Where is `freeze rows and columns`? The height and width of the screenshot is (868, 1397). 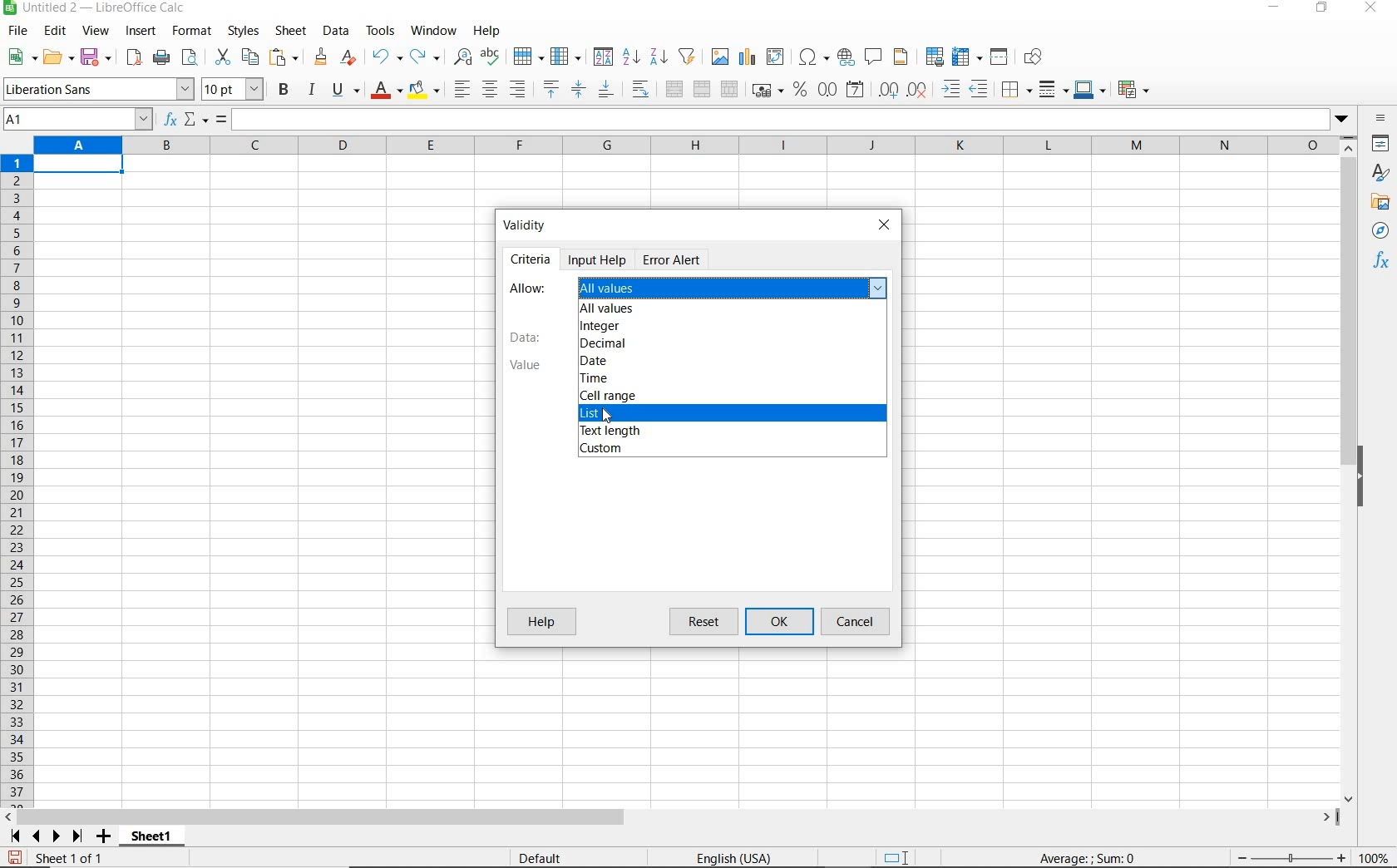 freeze rows and columns is located at coordinates (968, 57).